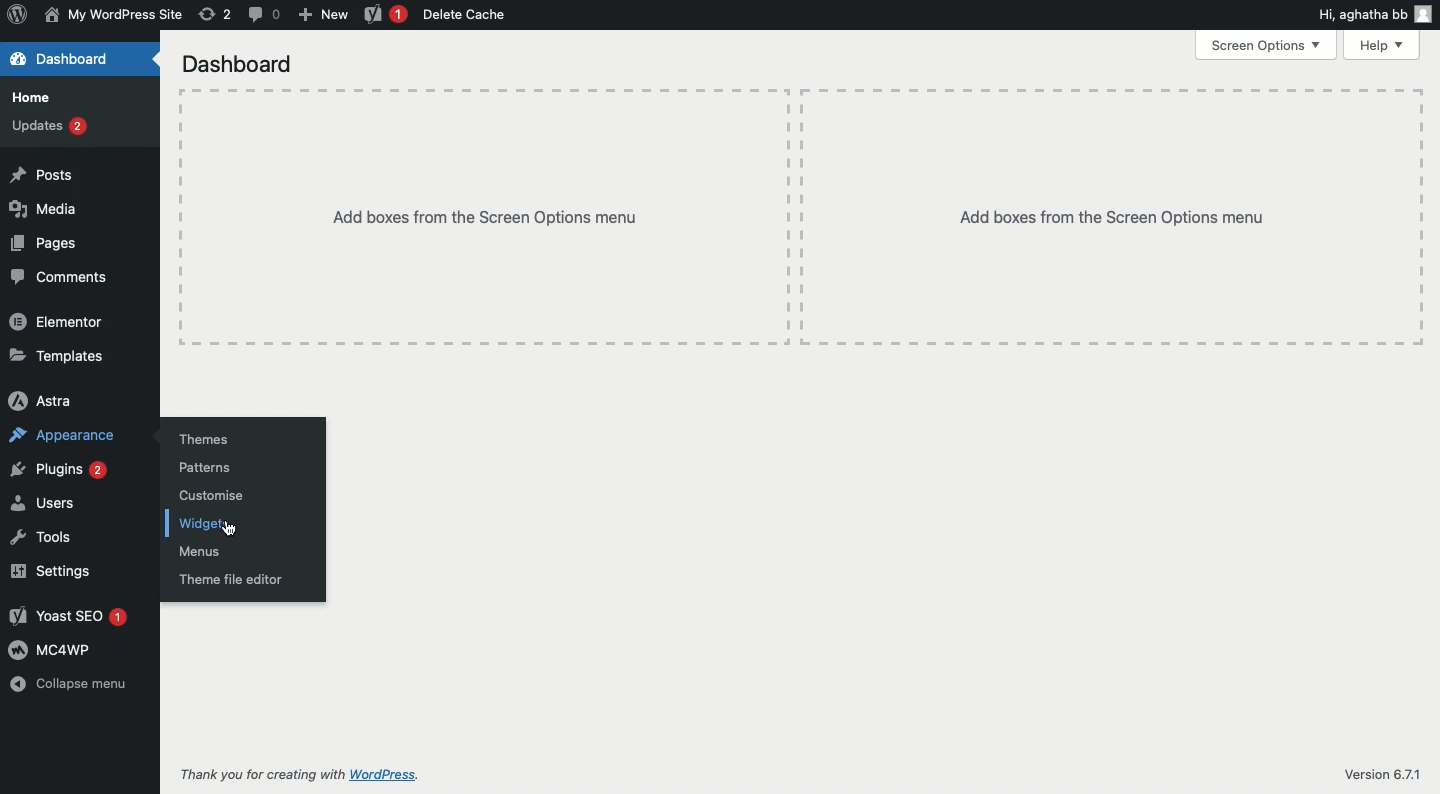 The height and width of the screenshot is (794, 1440). Describe the element at coordinates (465, 14) in the screenshot. I see `Delete cache` at that location.